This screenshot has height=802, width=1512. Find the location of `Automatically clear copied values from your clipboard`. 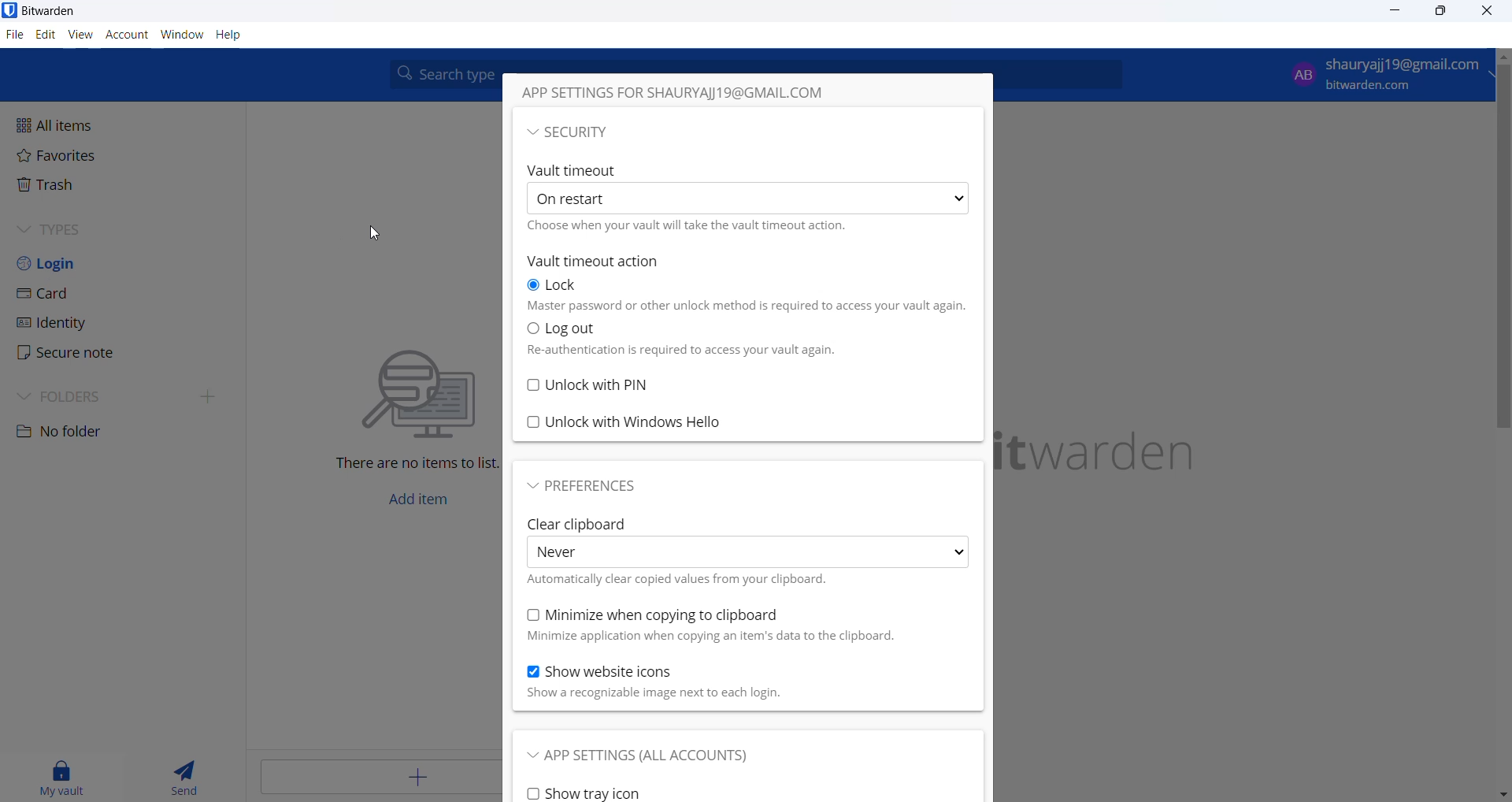

Automatically clear copied values from your clipboard is located at coordinates (686, 580).